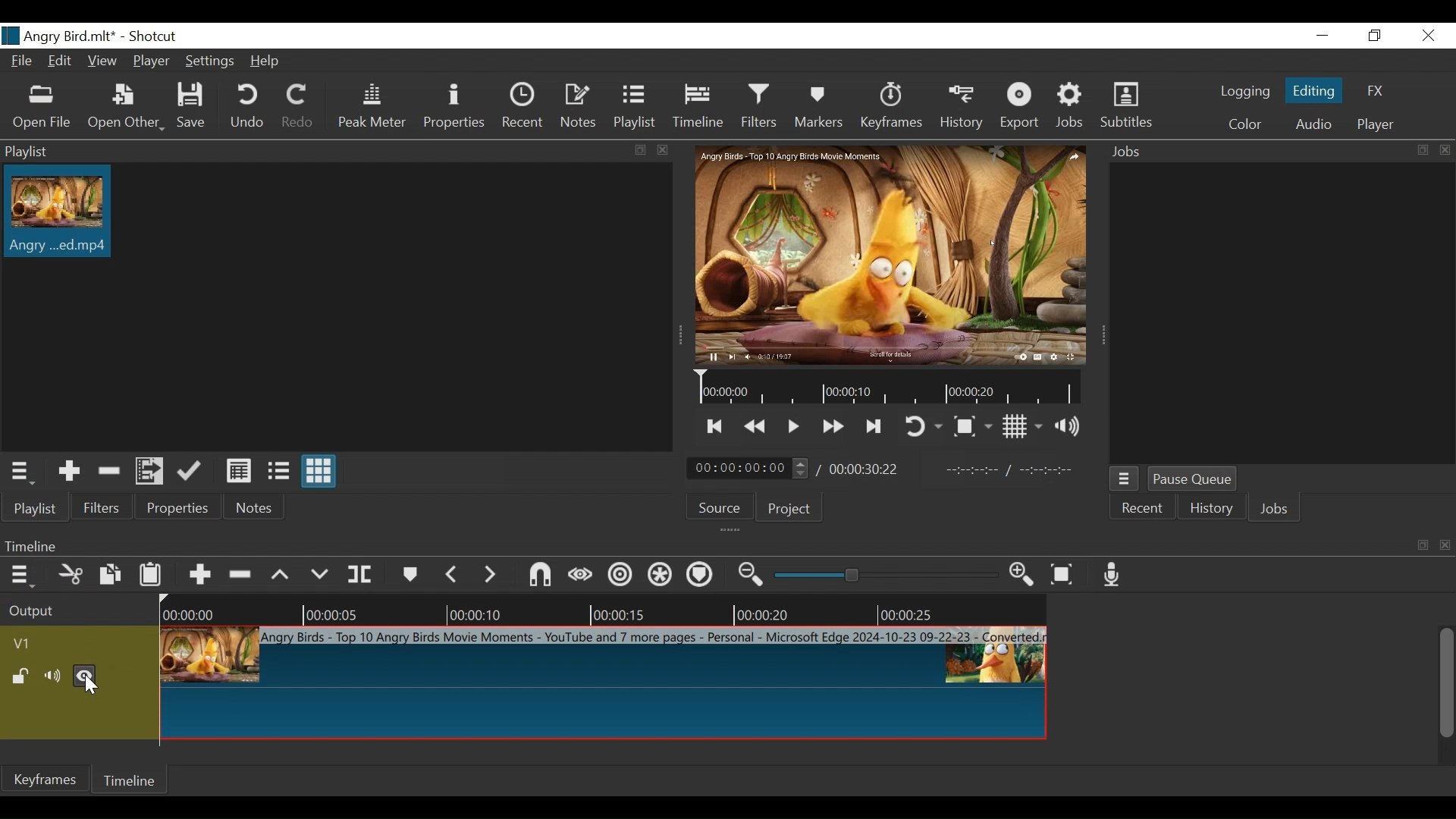 This screenshot has width=1456, height=819. I want to click on zoom timeline out, so click(1023, 575).